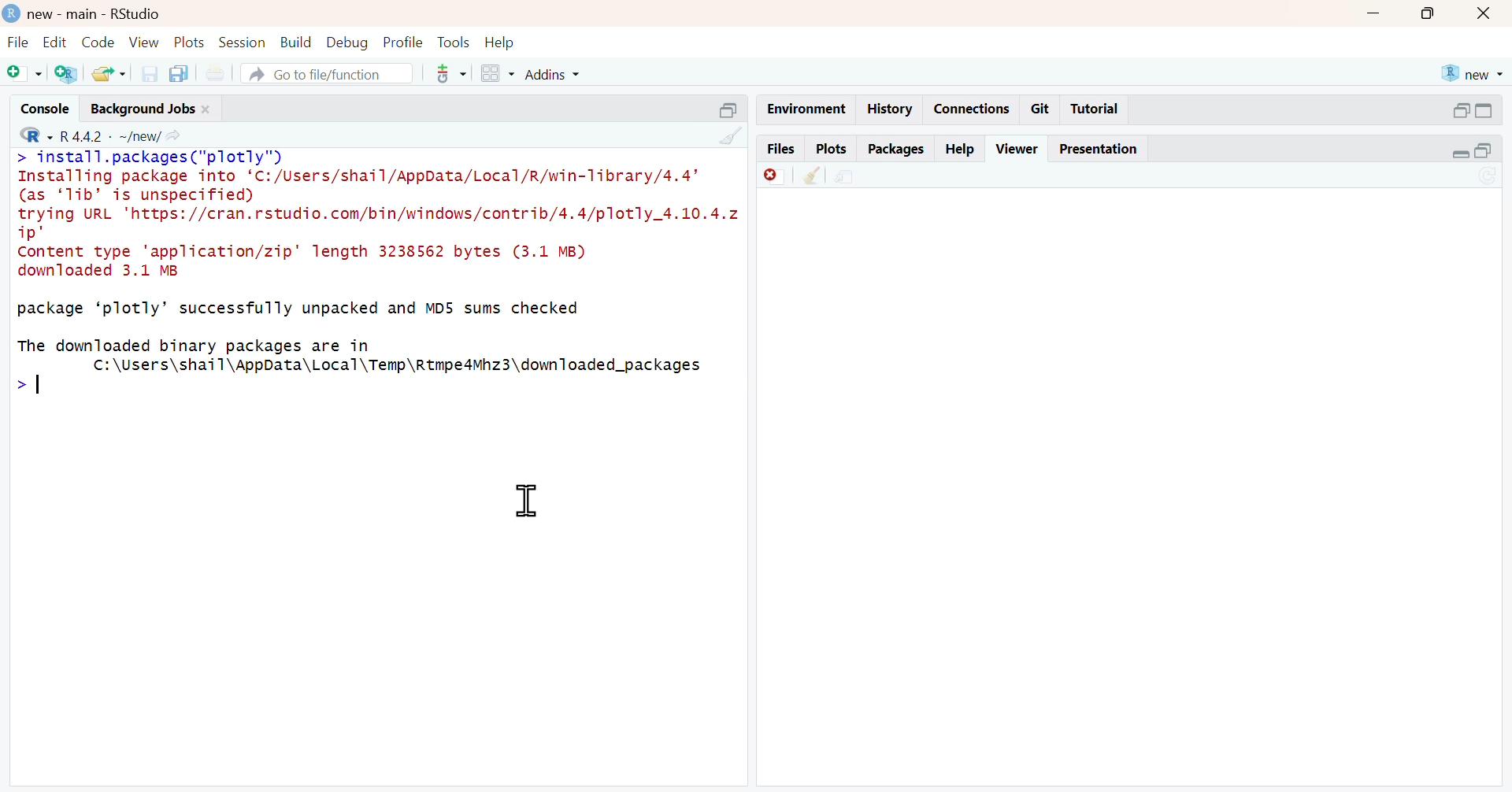 The width and height of the screenshot is (1512, 792). What do you see at coordinates (16, 387) in the screenshot?
I see `prompt cursor` at bounding box center [16, 387].